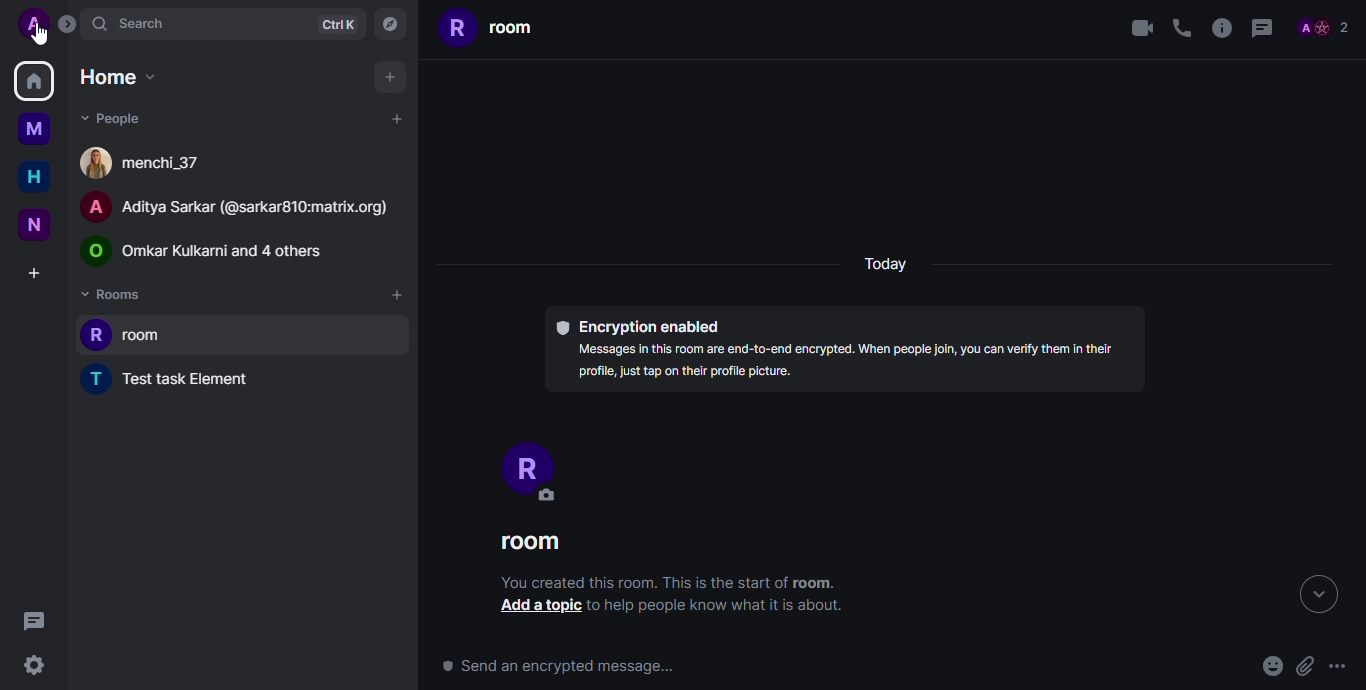 This screenshot has width=1366, height=690. I want to click on home, so click(35, 175).